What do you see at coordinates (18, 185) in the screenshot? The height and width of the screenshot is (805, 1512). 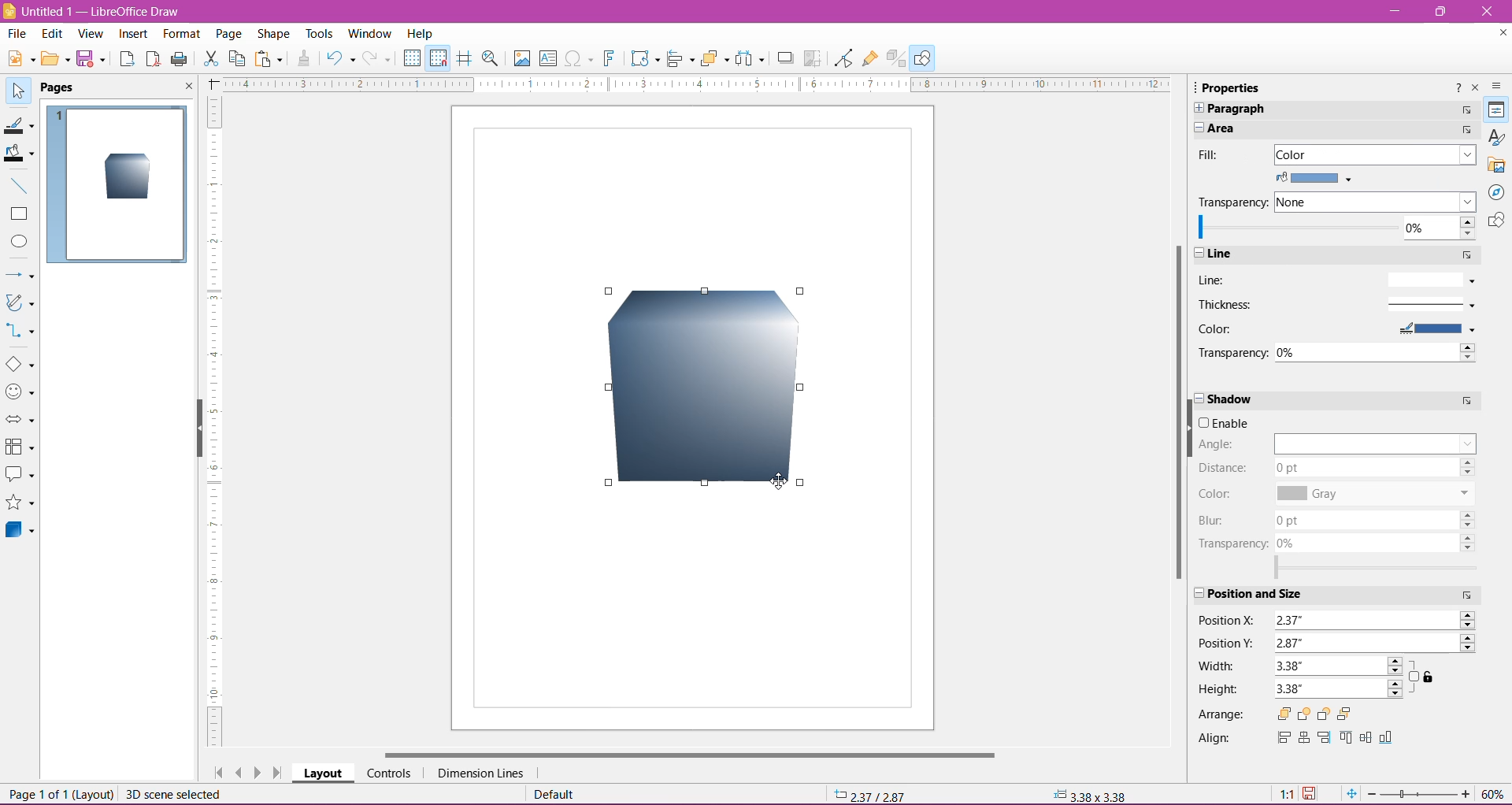 I see `Insert Line` at bounding box center [18, 185].